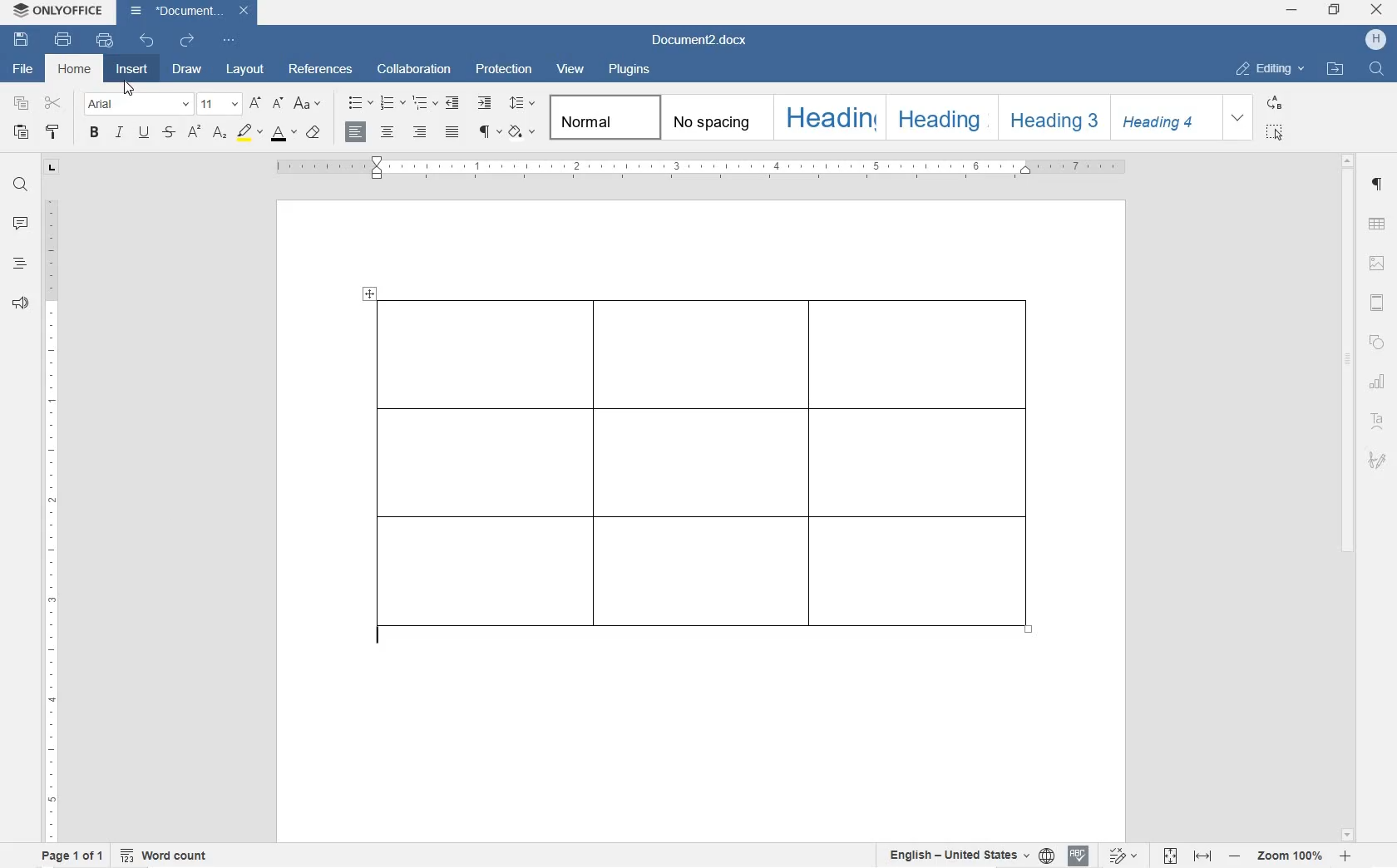 Image resolution: width=1397 pixels, height=868 pixels. What do you see at coordinates (76, 70) in the screenshot?
I see `home` at bounding box center [76, 70].